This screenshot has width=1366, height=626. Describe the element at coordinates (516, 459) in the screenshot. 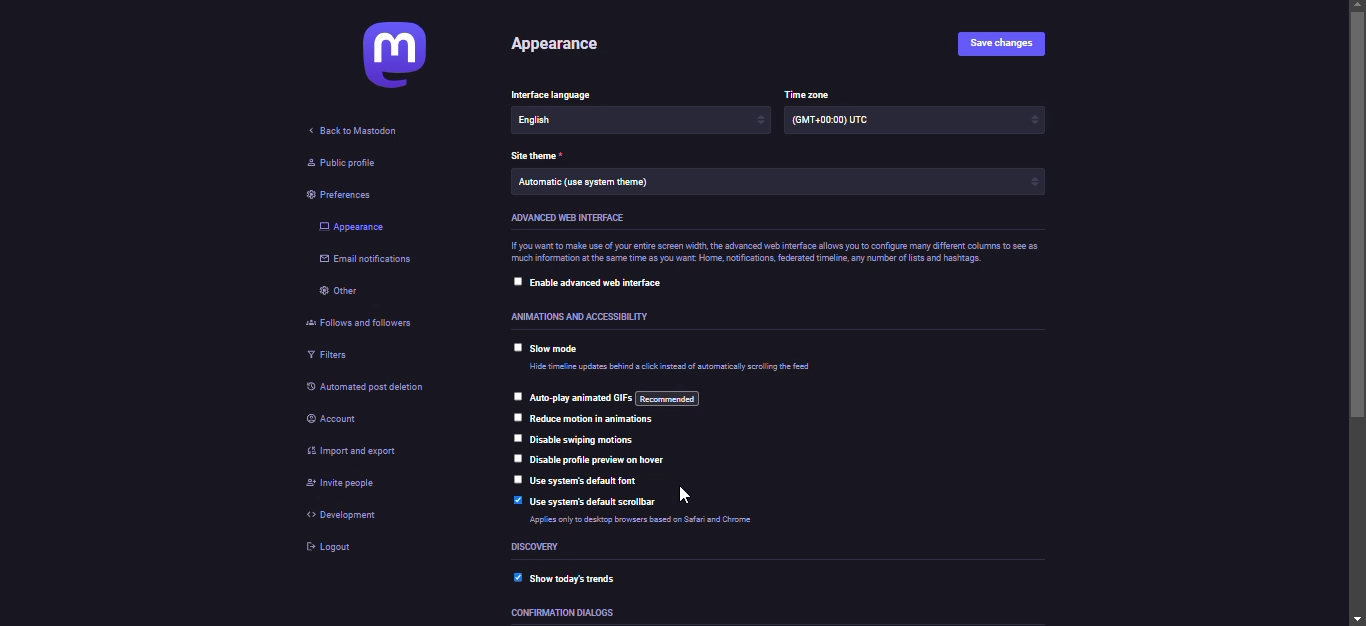

I see `click to select` at that location.